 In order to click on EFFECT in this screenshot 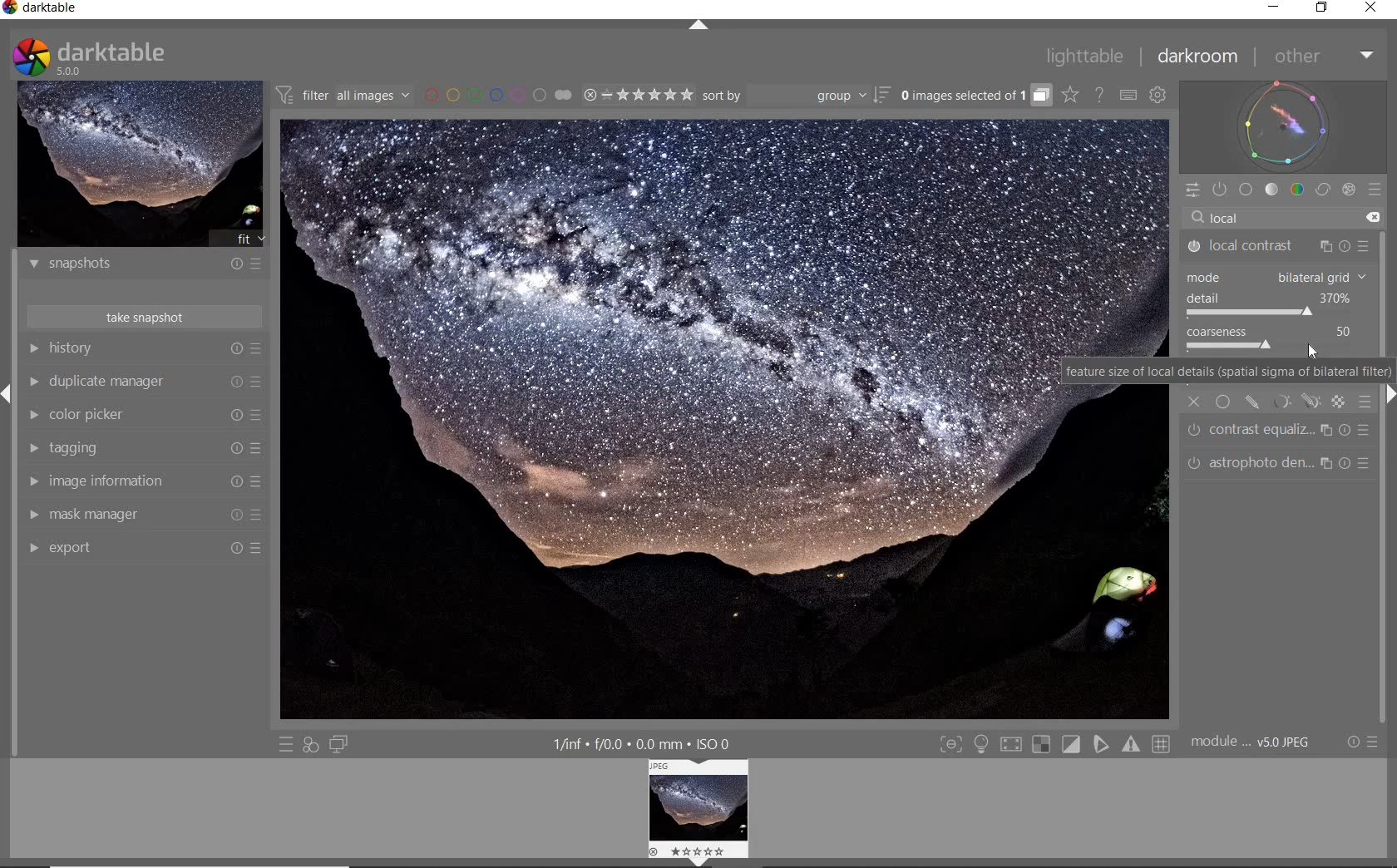, I will do `click(1348, 190)`.